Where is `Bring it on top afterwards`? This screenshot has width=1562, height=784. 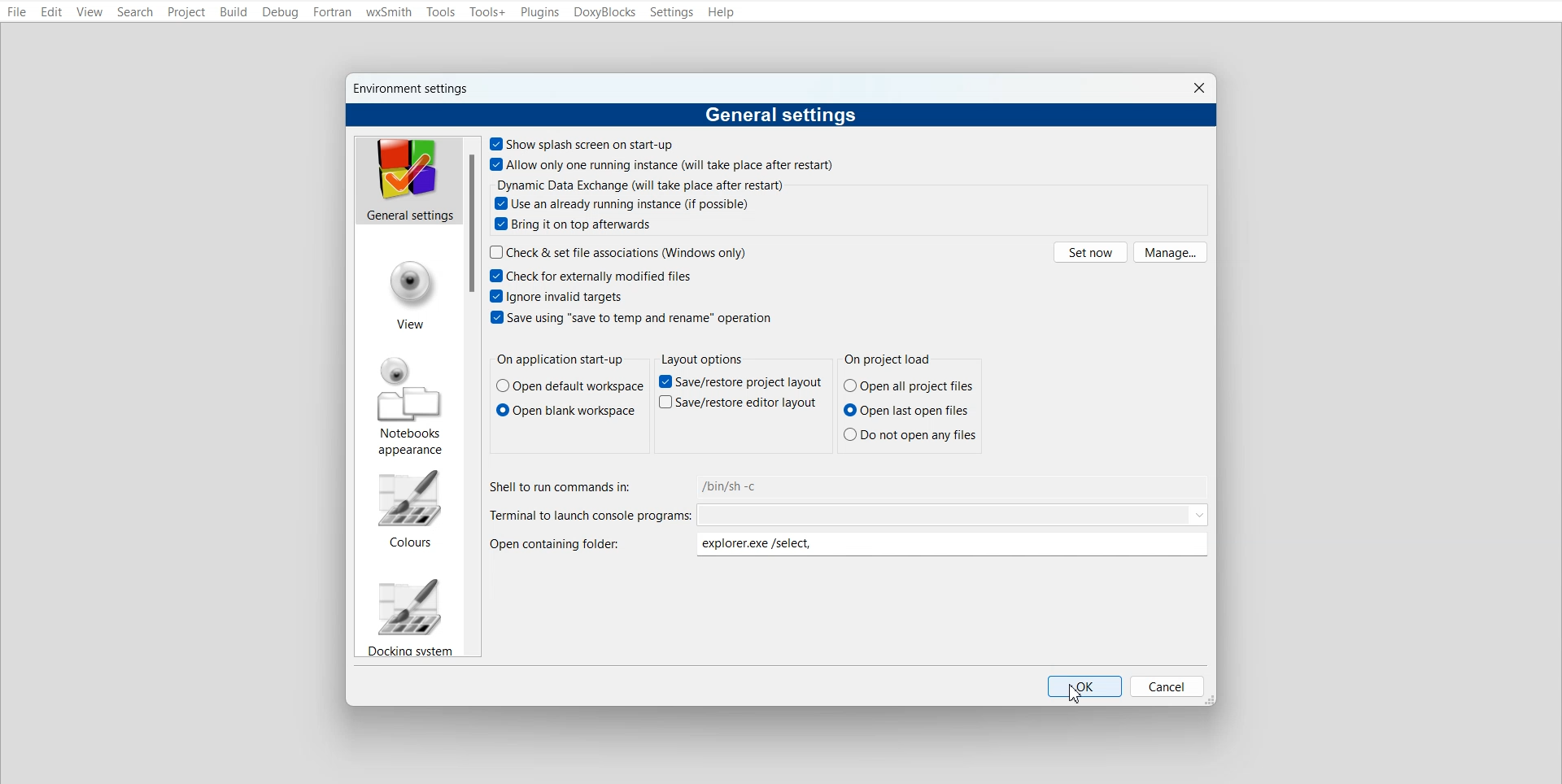
Bring it on top afterwards is located at coordinates (574, 224).